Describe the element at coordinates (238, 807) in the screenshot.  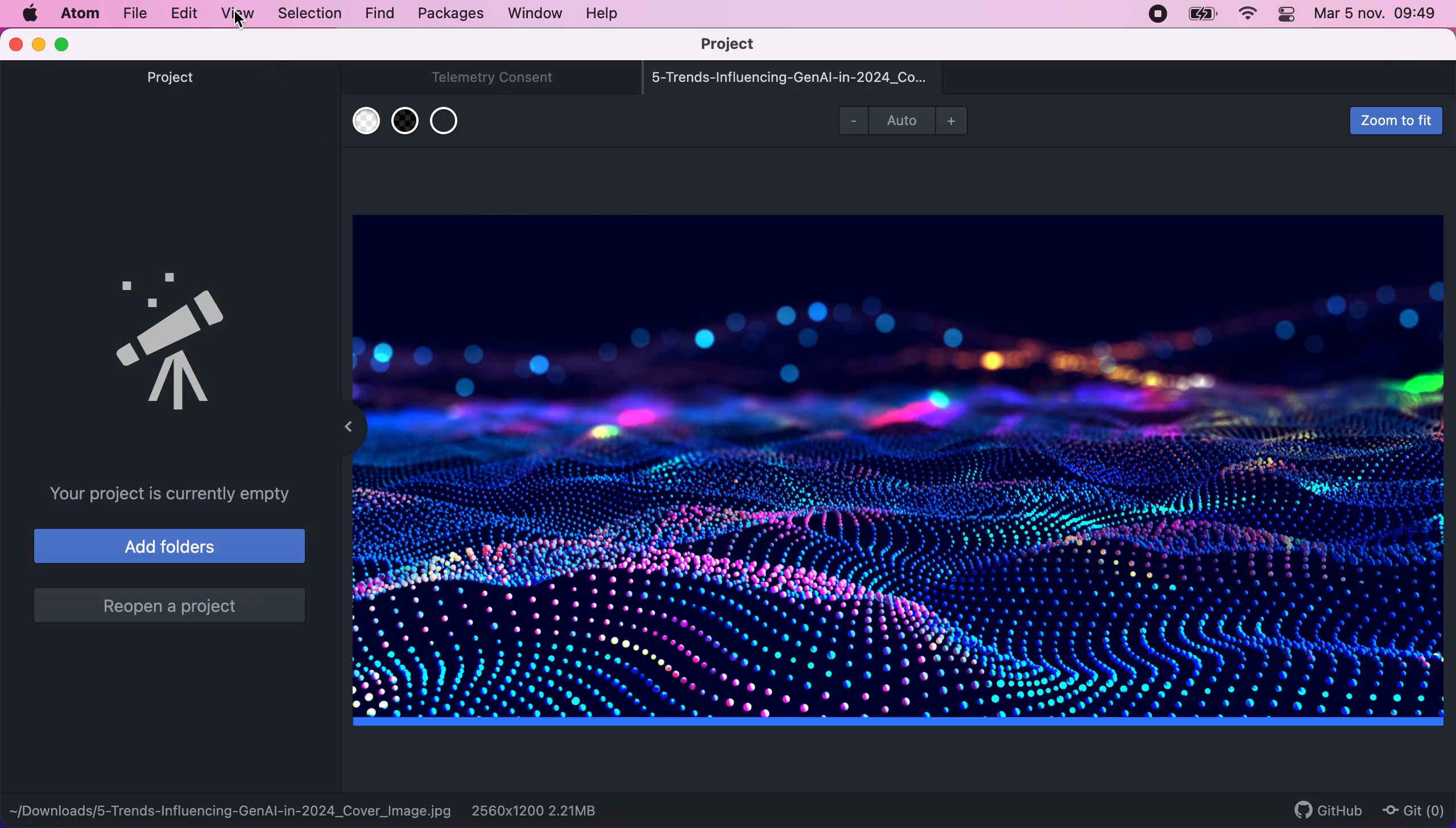
I see `-downloads/5-trends-influencing-genai-in-2024_cover_image.jpg` at that location.